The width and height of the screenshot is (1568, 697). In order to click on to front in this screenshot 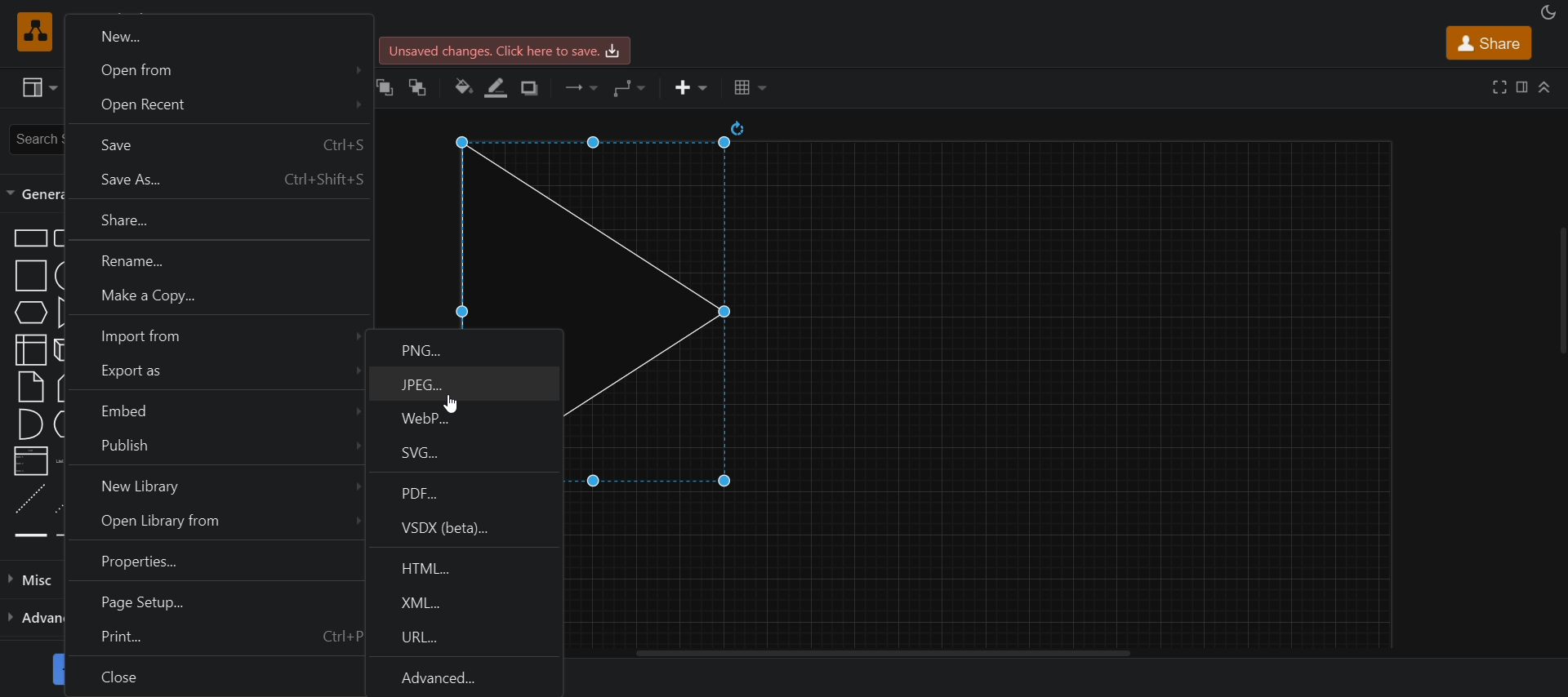, I will do `click(385, 86)`.